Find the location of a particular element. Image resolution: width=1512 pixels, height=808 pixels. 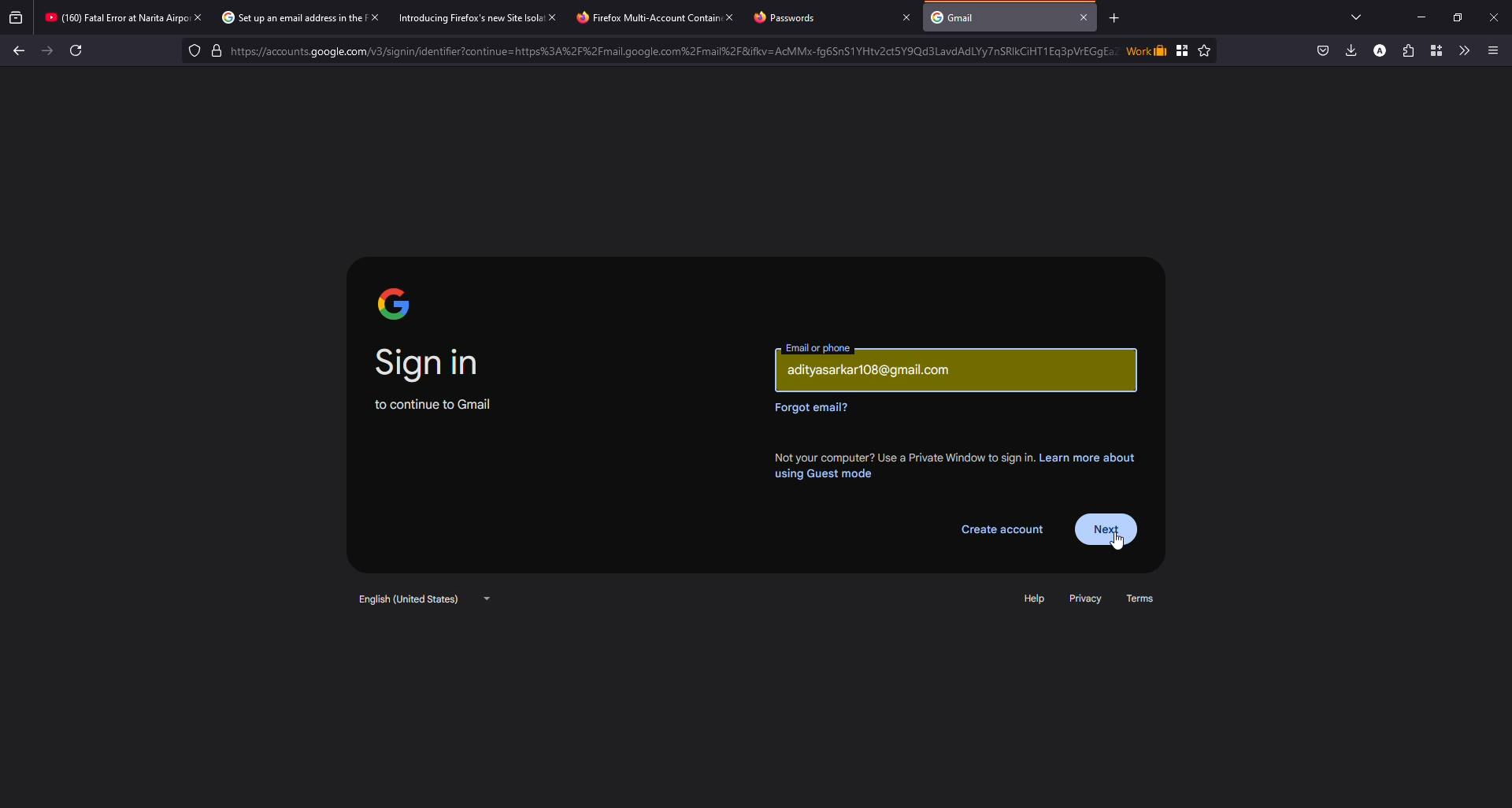

maximize is located at coordinates (1457, 15).